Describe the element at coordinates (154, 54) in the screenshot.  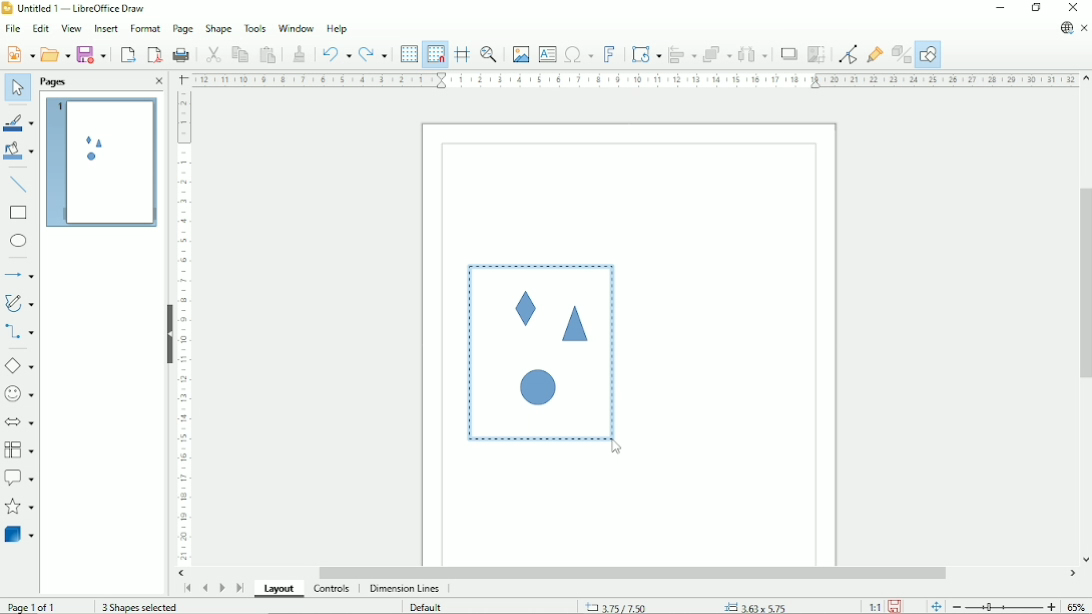
I see `Export directly as PDF` at that location.